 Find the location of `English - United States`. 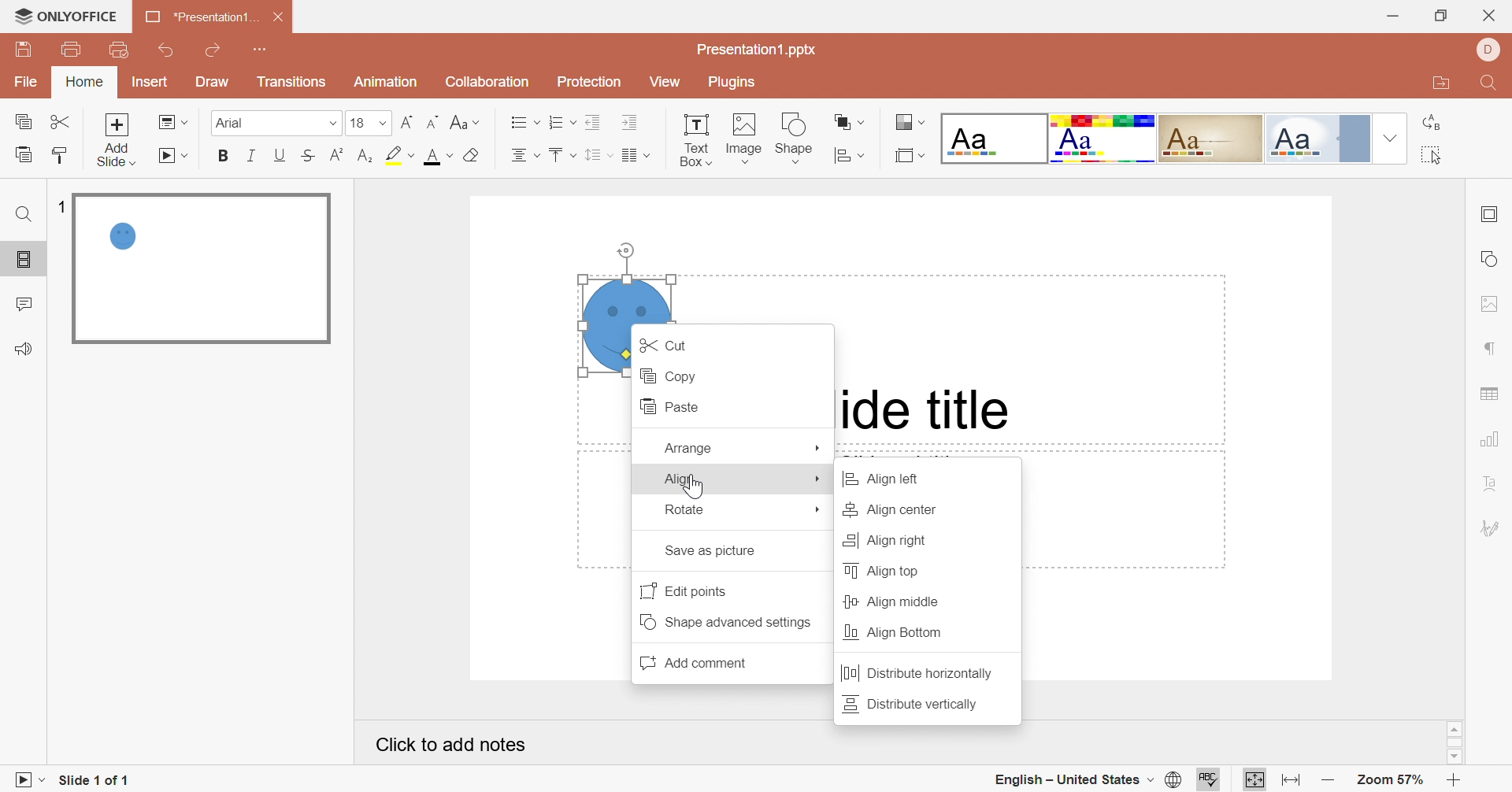

English - United States is located at coordinates (1073, 779).